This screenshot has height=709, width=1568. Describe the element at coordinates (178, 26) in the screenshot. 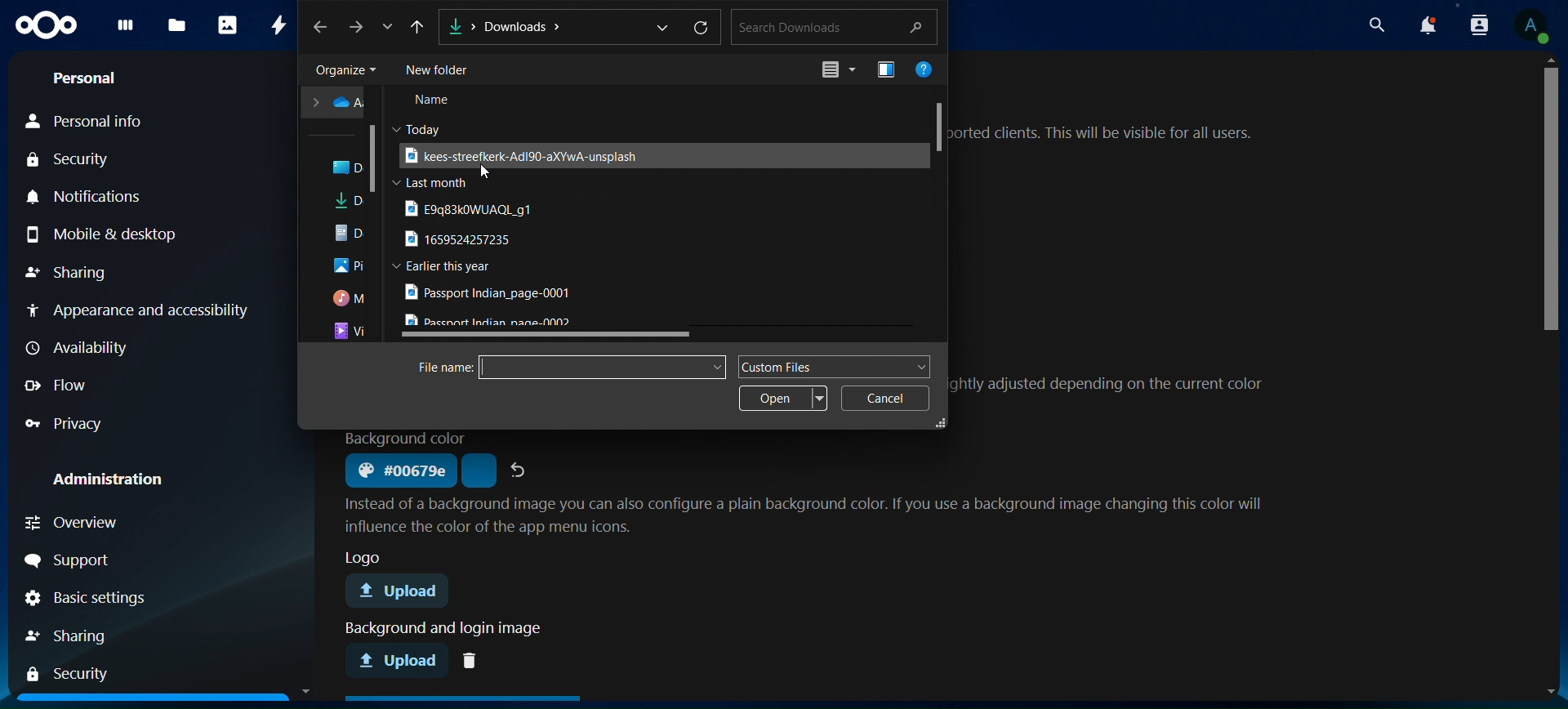

I see `files` at that location.